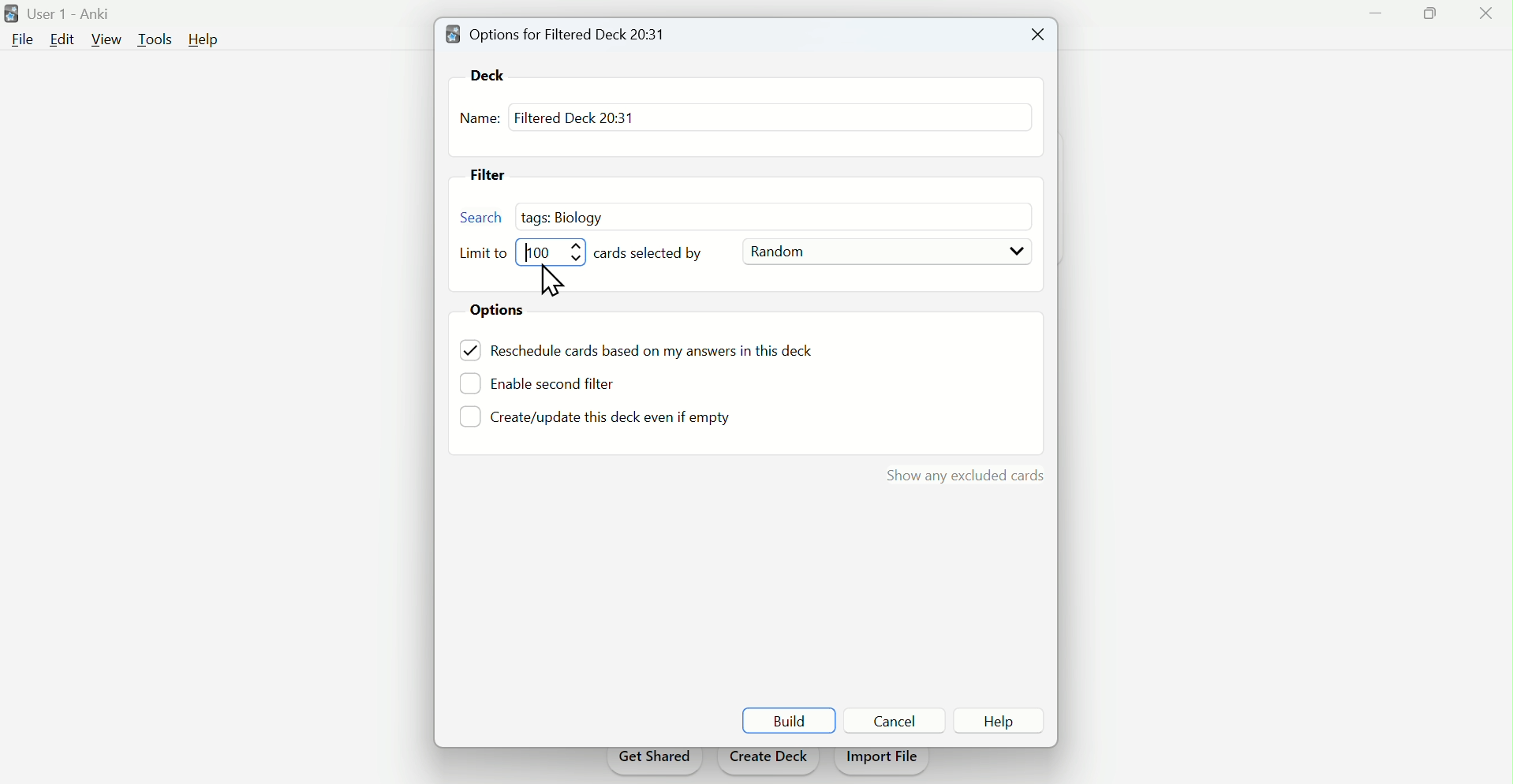  I want to click on Close, so click(1482, 17).